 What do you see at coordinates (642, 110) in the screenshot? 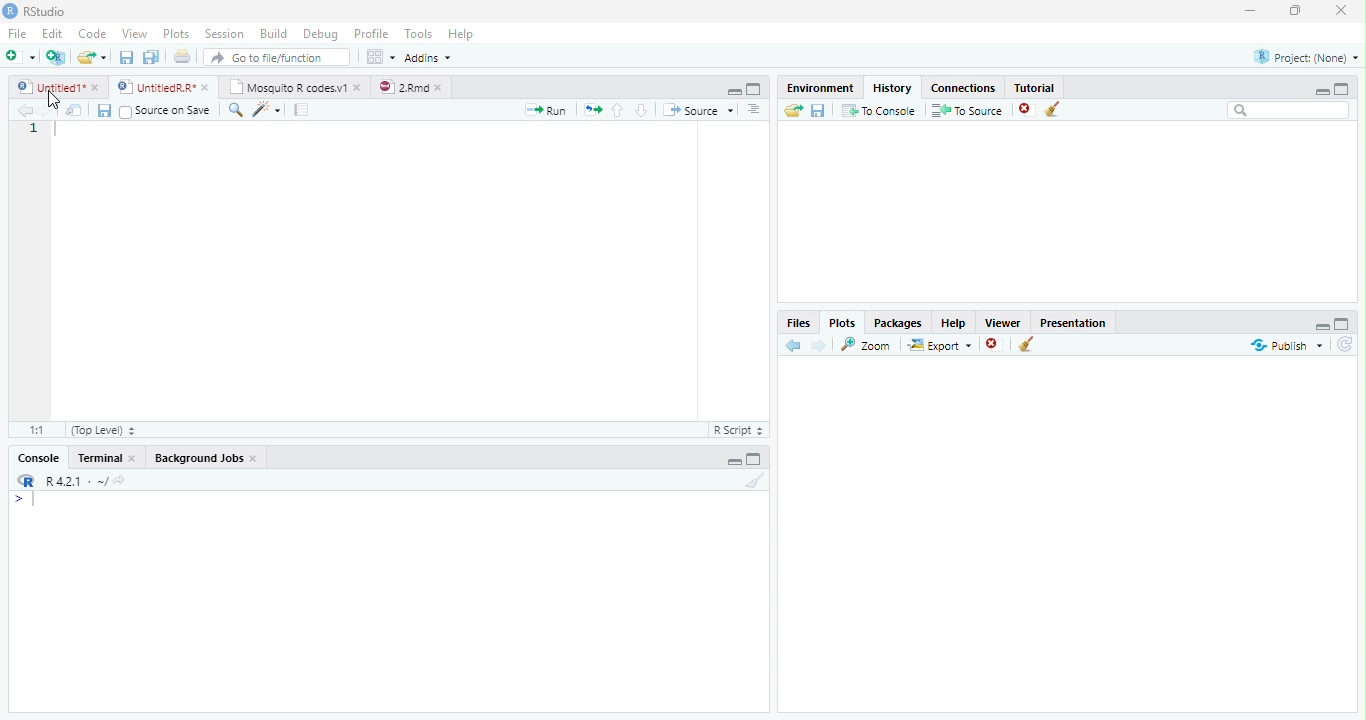
I see `Go to next section of code` at bounding box center [642, 110].